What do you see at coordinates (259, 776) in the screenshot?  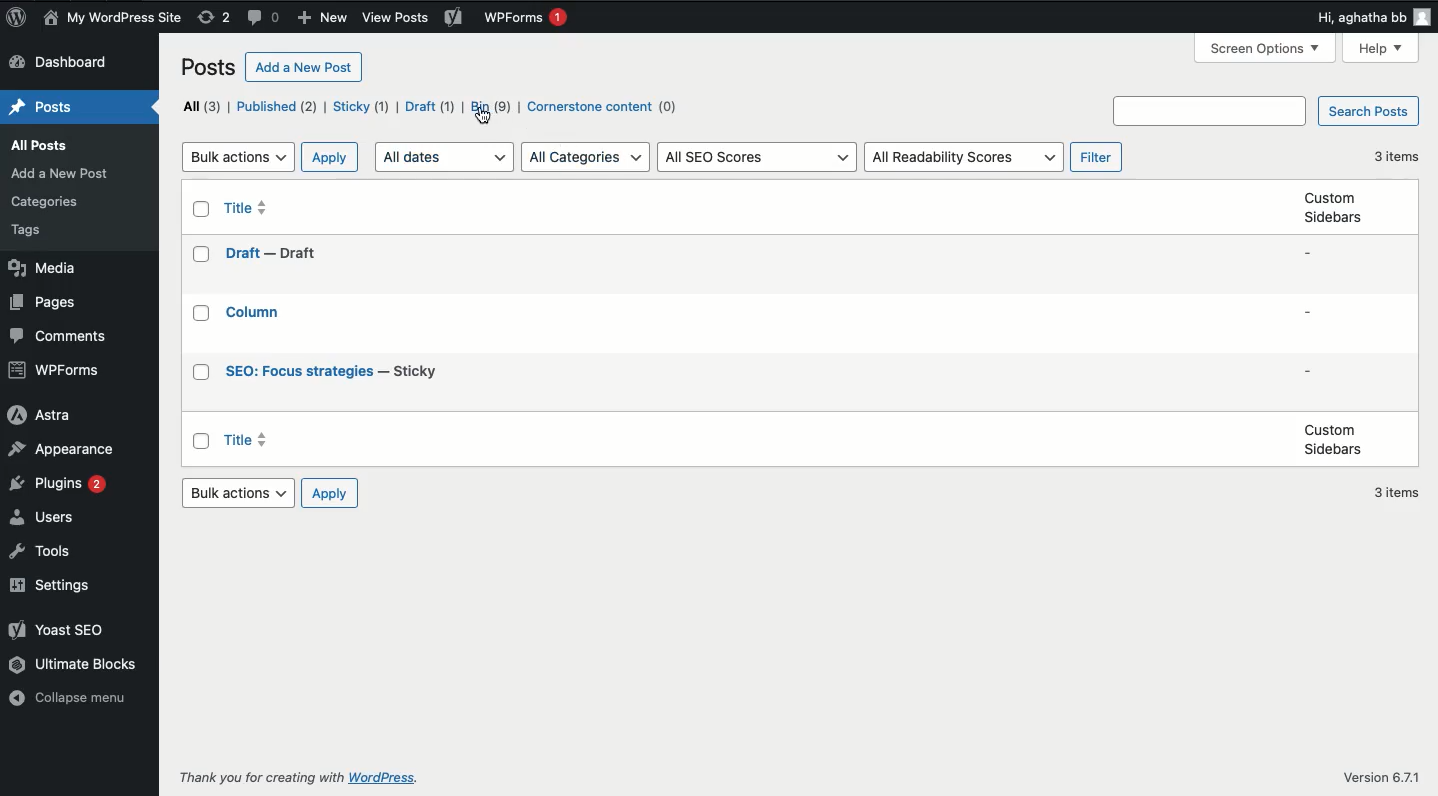 I see `Thank you for creating with WordPress` at bounding box center [259, 776].